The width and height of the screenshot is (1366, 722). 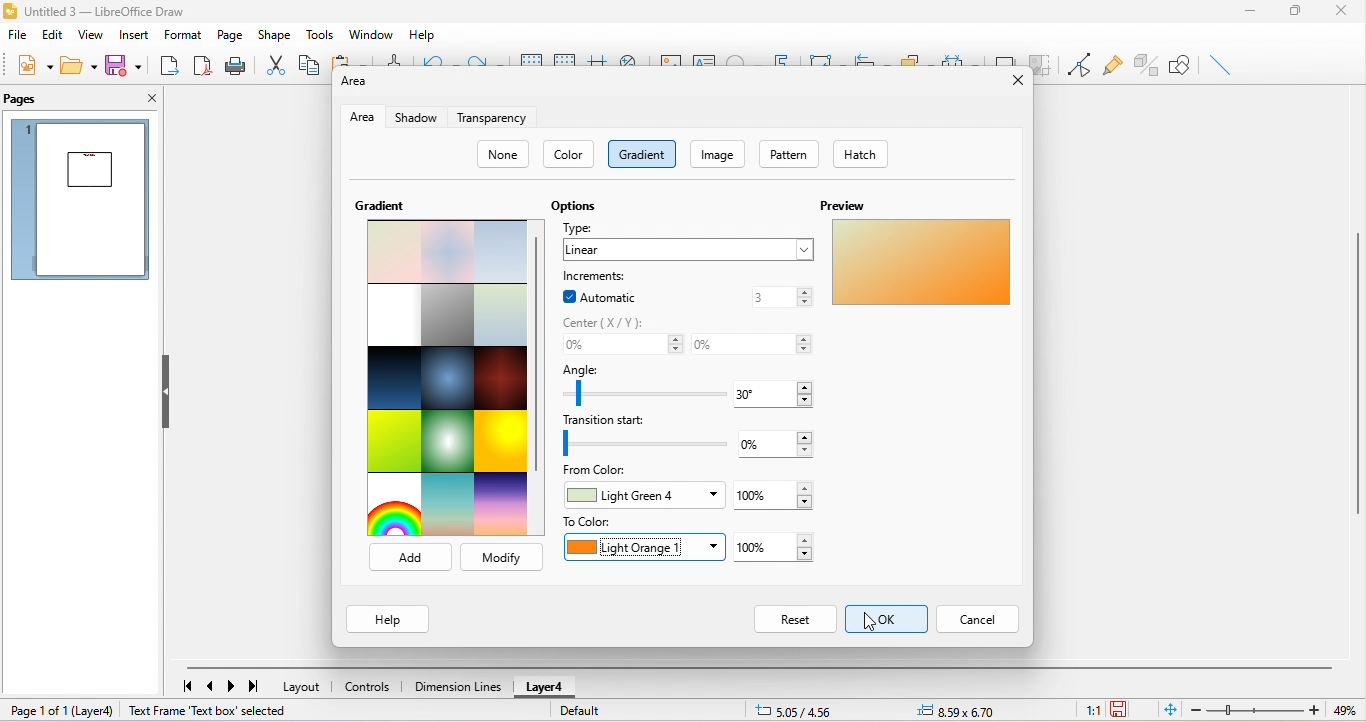 What do you see at coordinates (496, 117) in the screenshot?
I see `transparency` at bounding box center [496, 117].